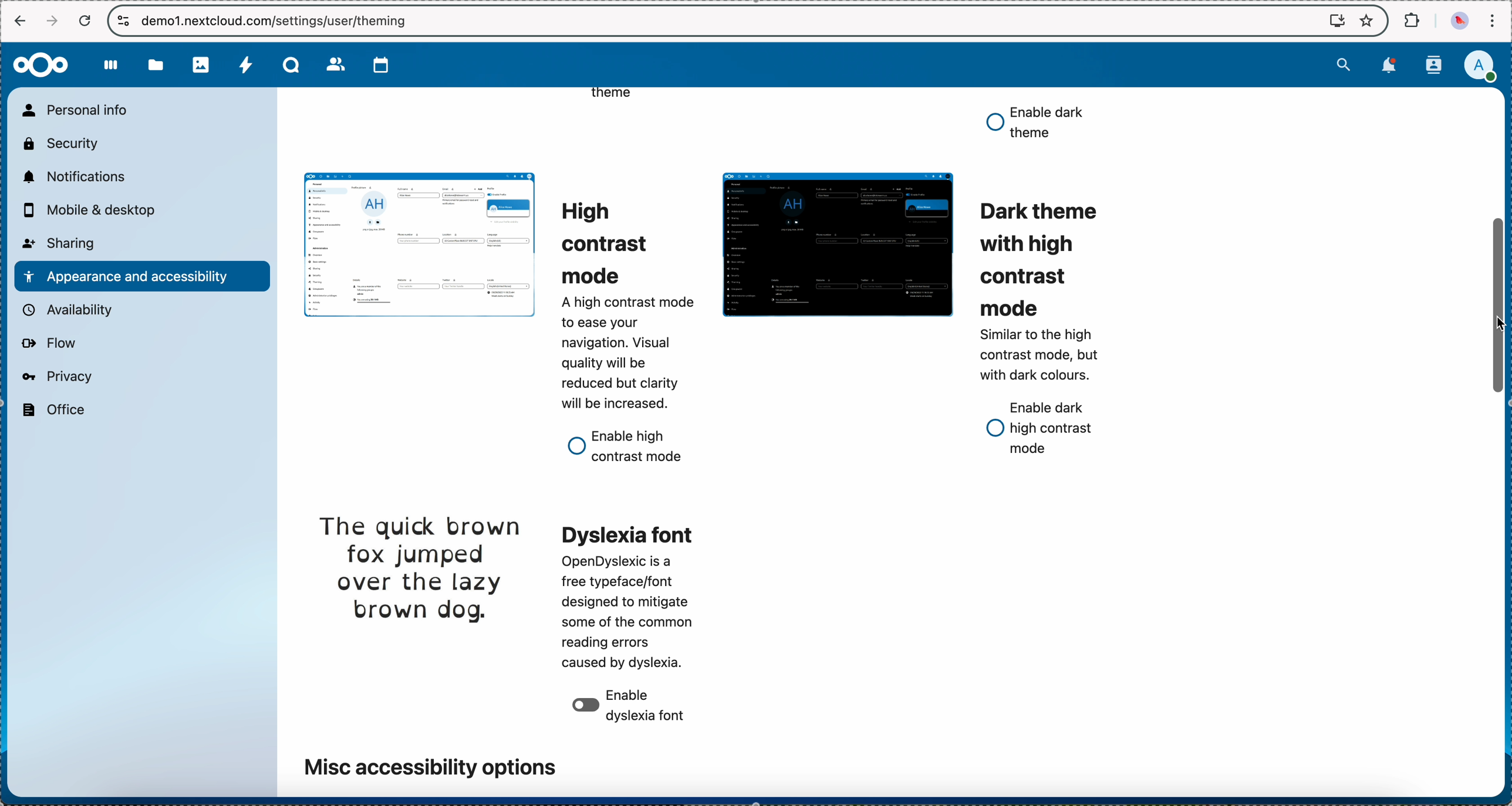  What do you see at coordinates (244, 66) in the screenshot?
I see `activity` at bounding box center [244, 66].